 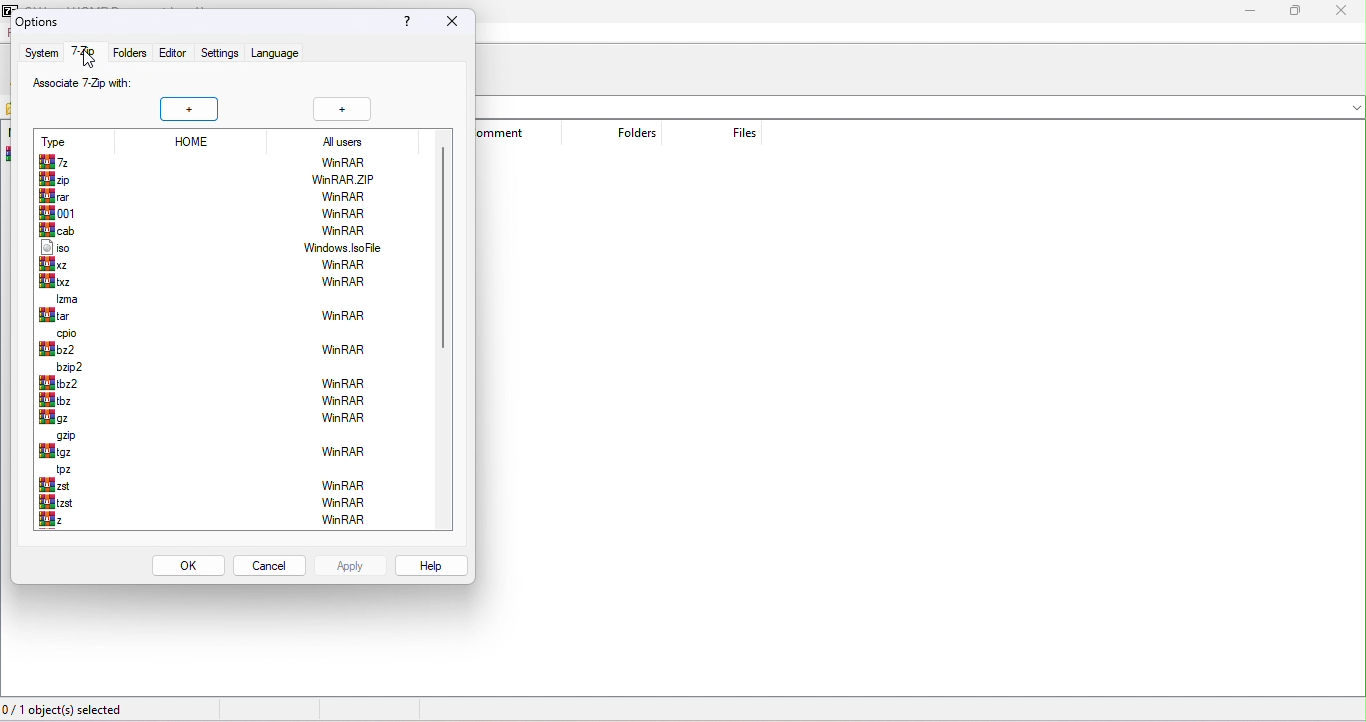 I want to click on zst, so click(x=58, y=483).